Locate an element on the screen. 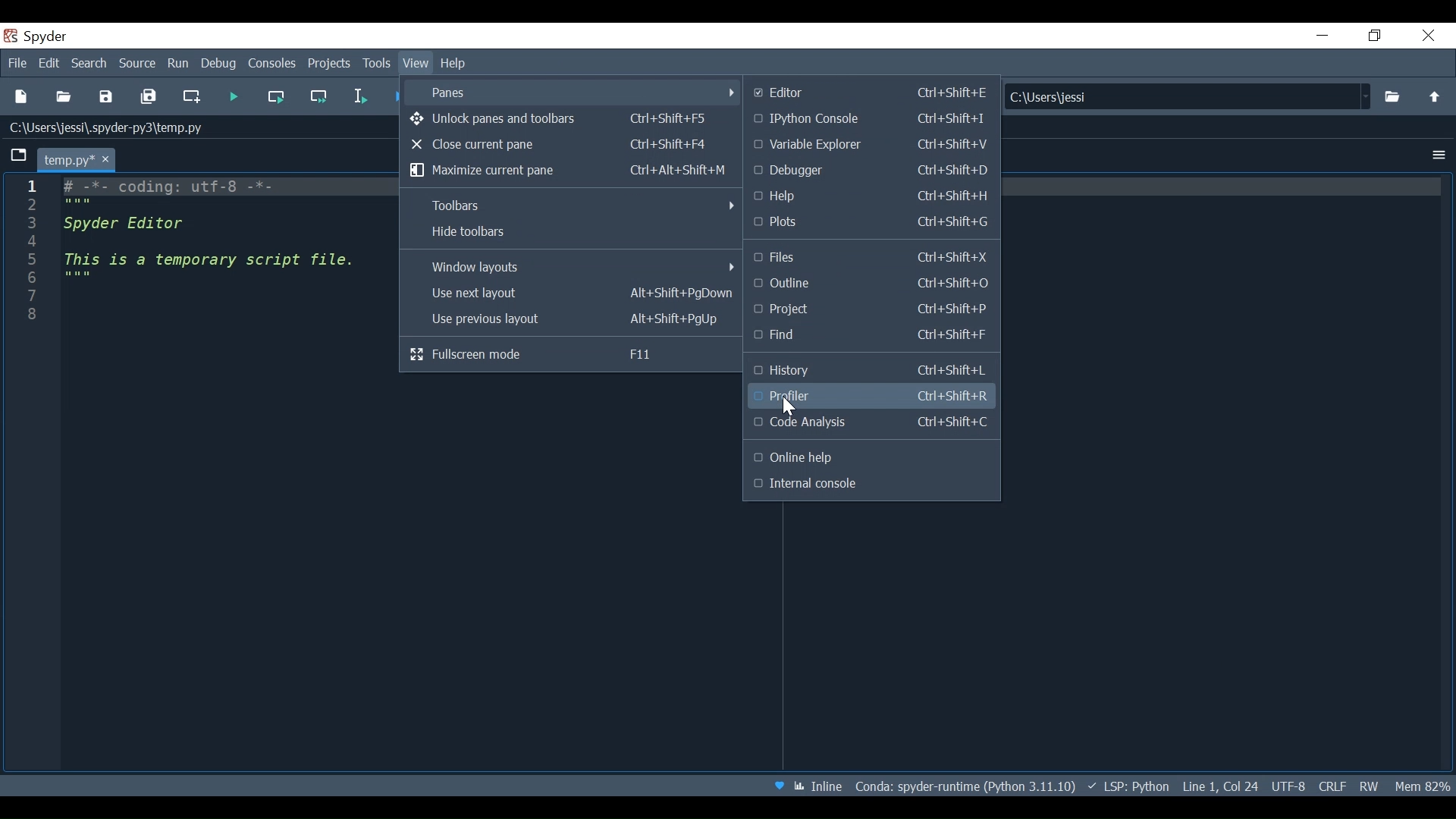 This screenshot has width=1456, height=819. Python Console is located at coordinates (873, 118).